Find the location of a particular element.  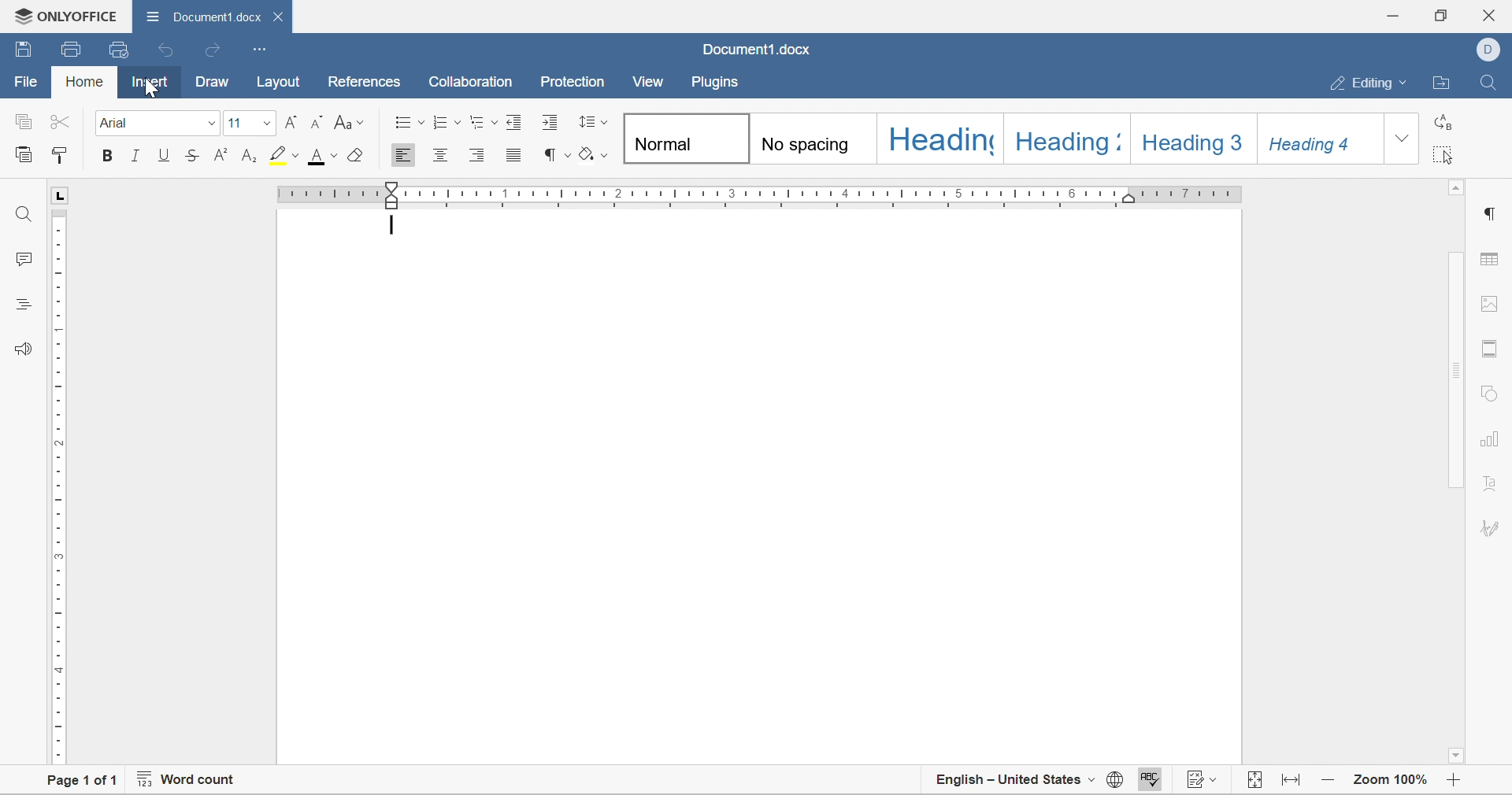

Paragraph line spacing is located at coordinates (592, 121).